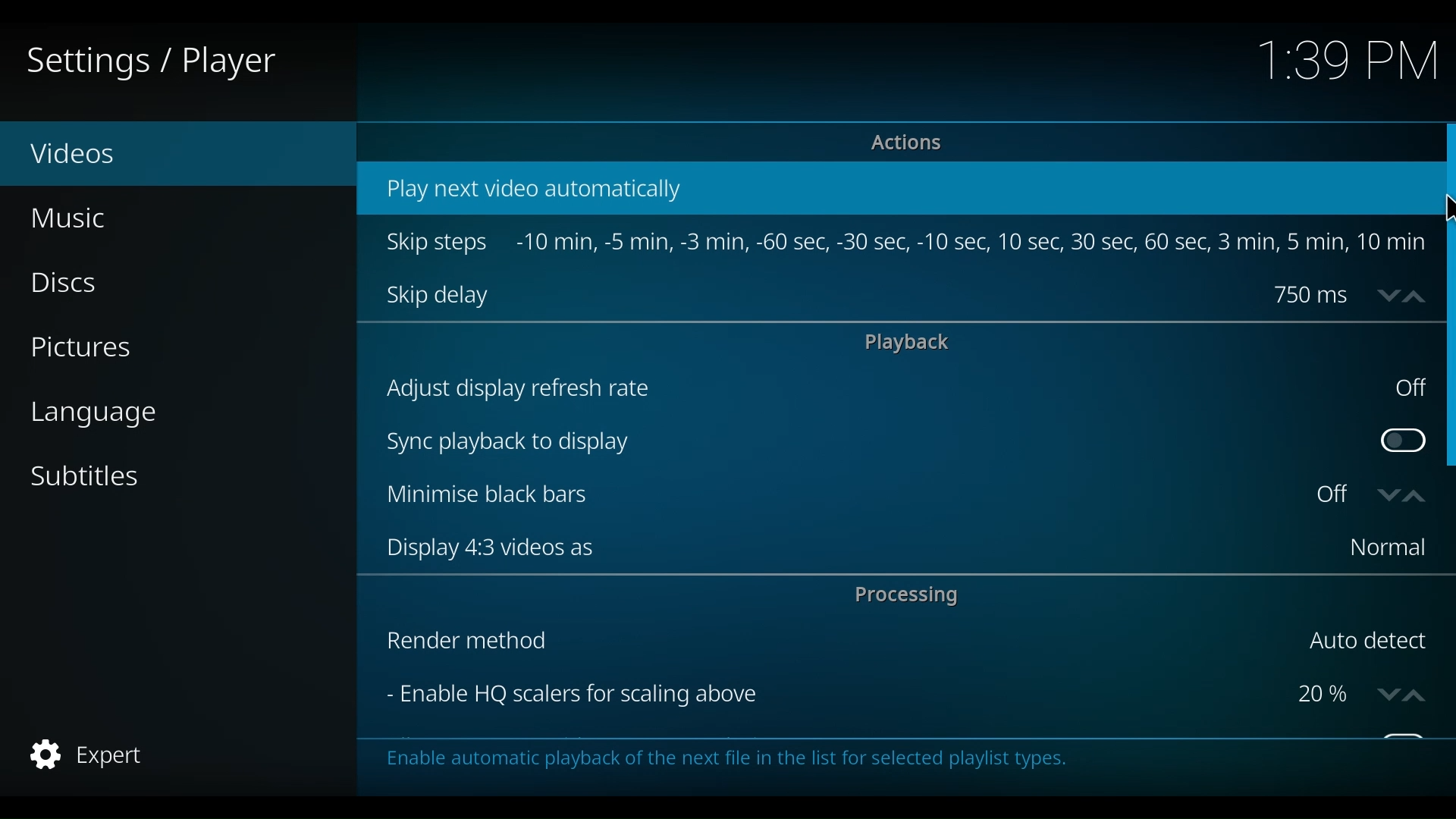 The height and width of the screenshot is (819, 1456). I want to click on Processing, so click(914, 598).